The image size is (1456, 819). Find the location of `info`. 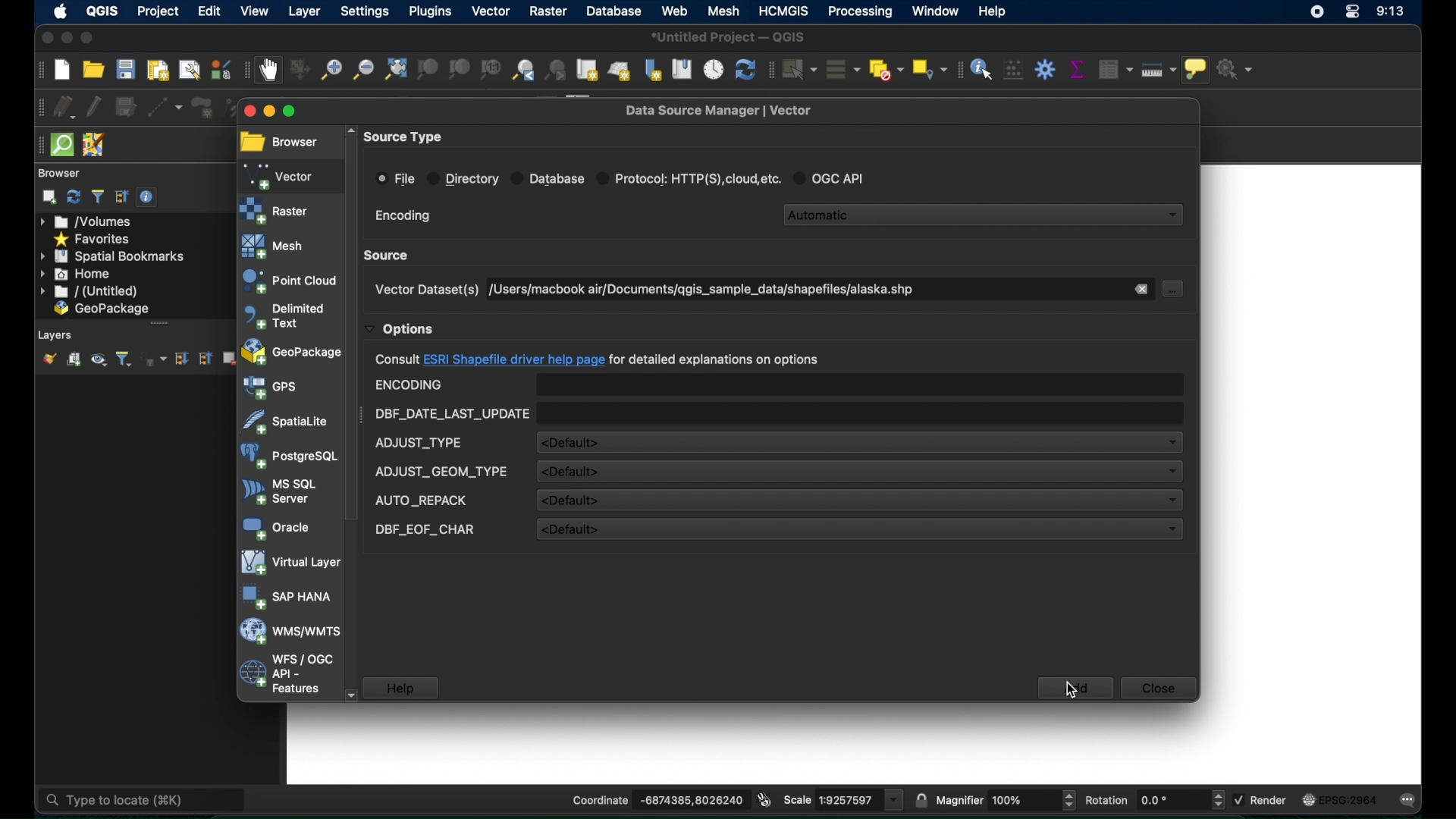

info is located at coordinates (597, 360).